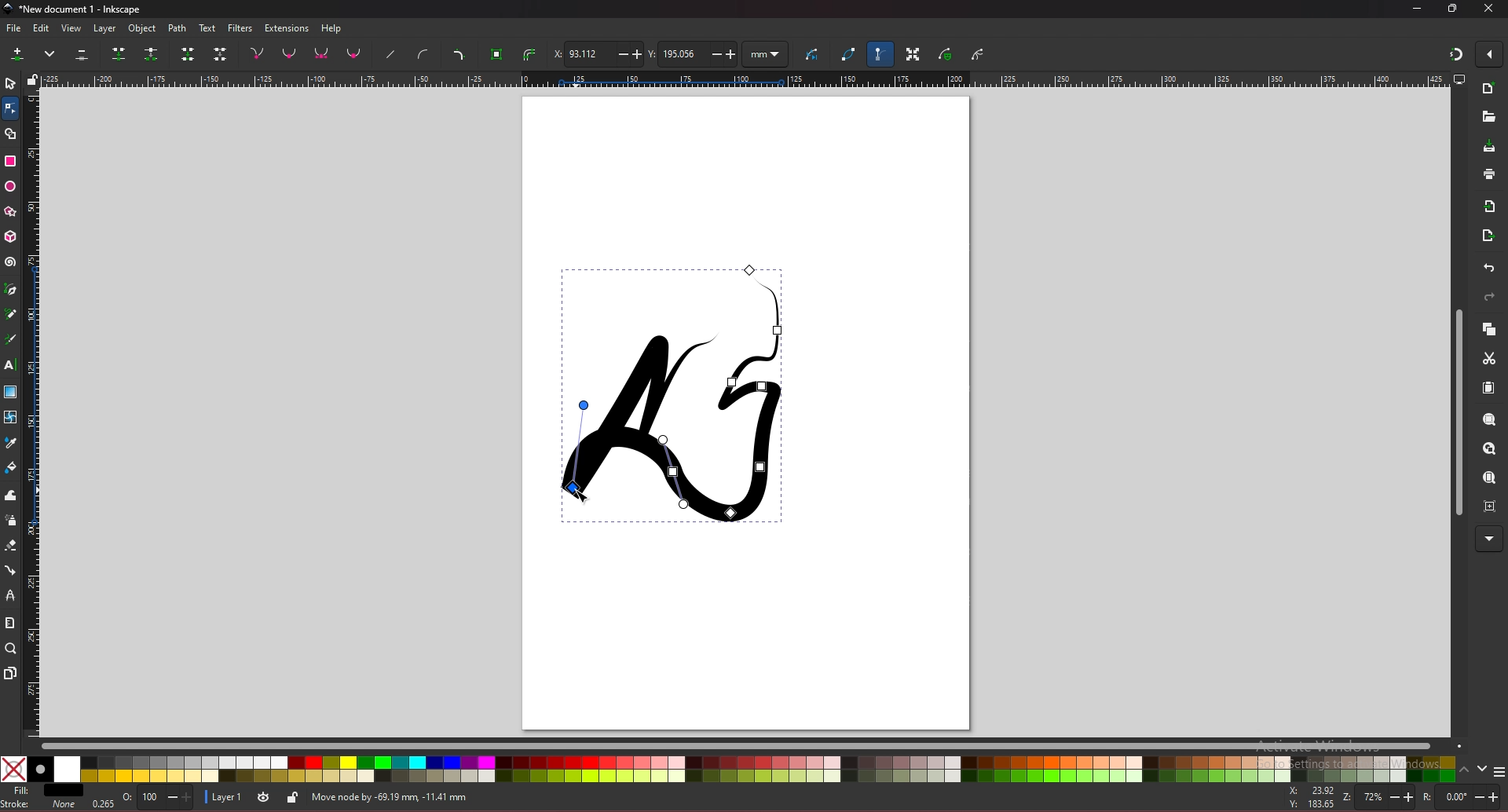 This screenshot has width=1508, height=812. Describe the element at coordinates (1458, 79) in the screenshot. I see `display options` at that location.